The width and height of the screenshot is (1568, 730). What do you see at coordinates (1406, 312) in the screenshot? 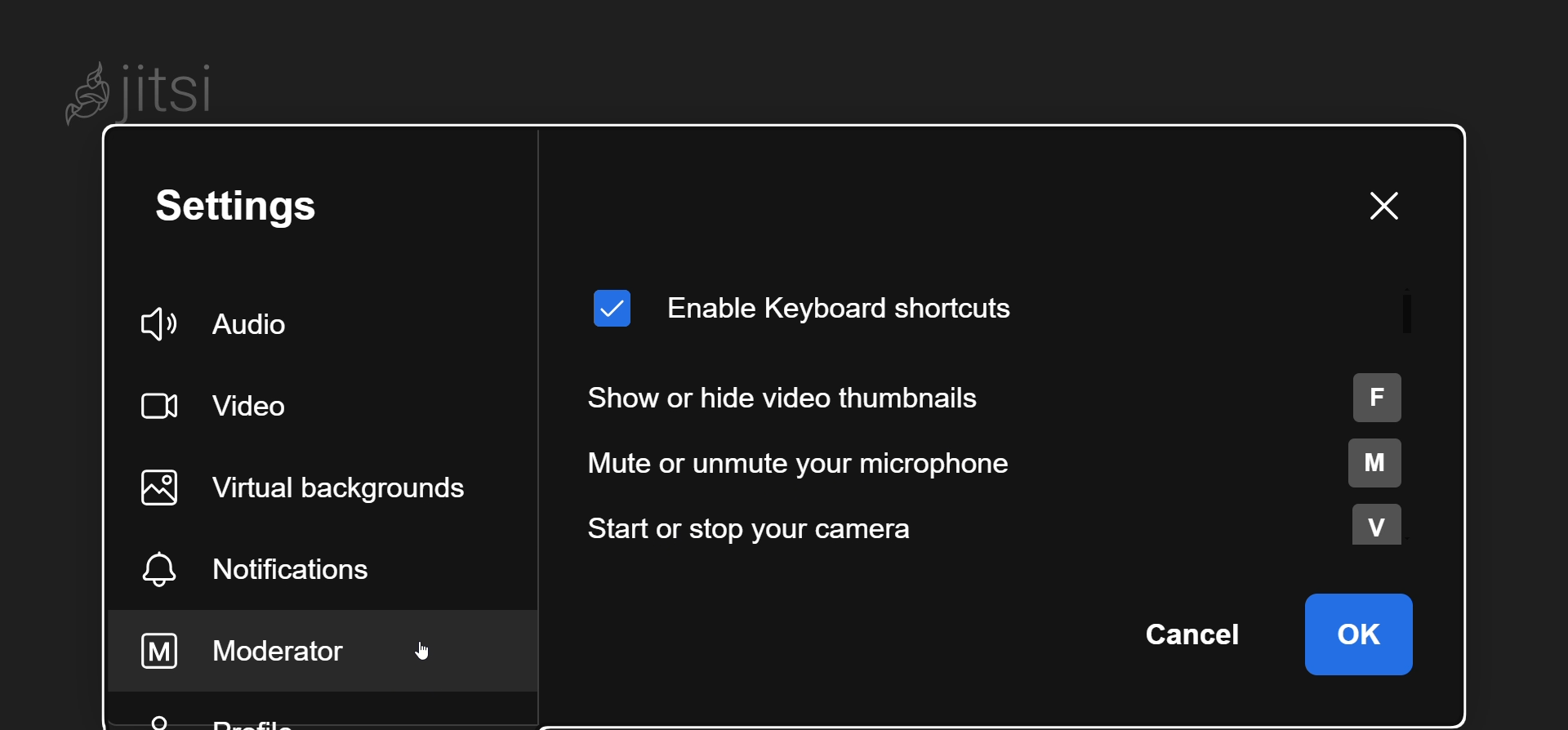
I see `scroll bar` at bounding box center [1406, 312].